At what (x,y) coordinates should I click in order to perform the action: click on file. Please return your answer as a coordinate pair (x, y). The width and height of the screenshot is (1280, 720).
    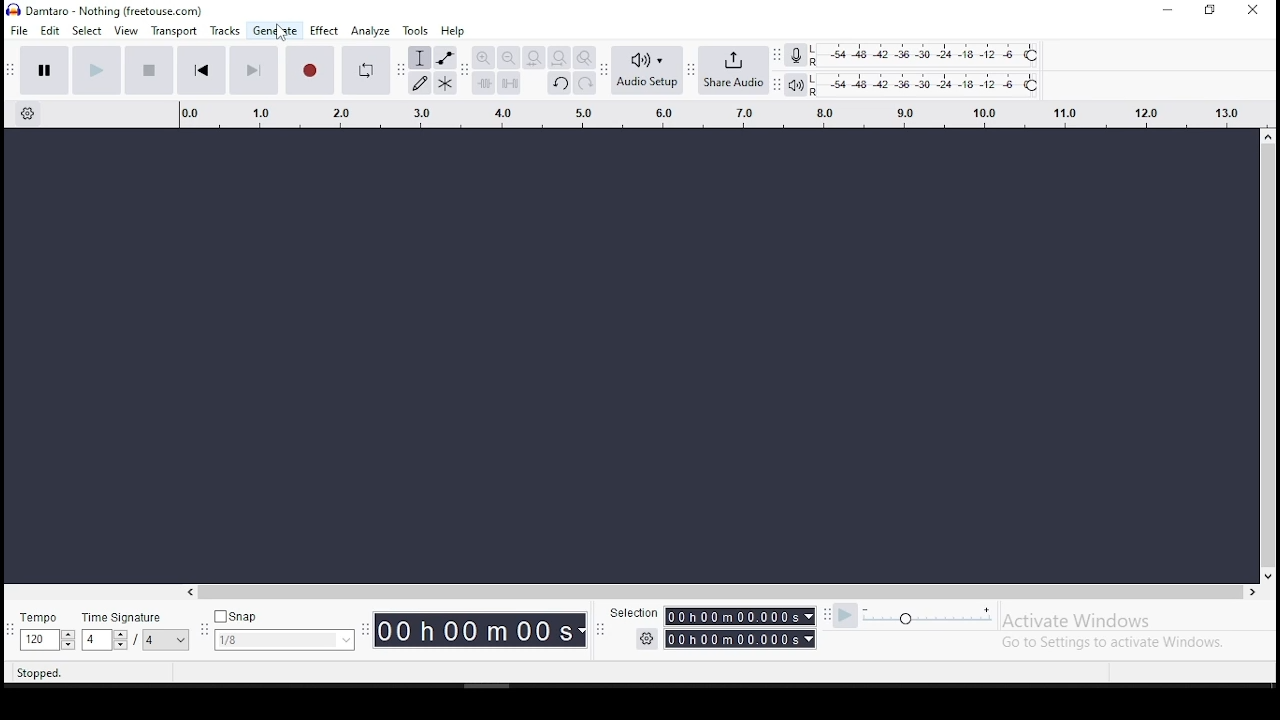
    Looking at the image, I should click on (20, 30).